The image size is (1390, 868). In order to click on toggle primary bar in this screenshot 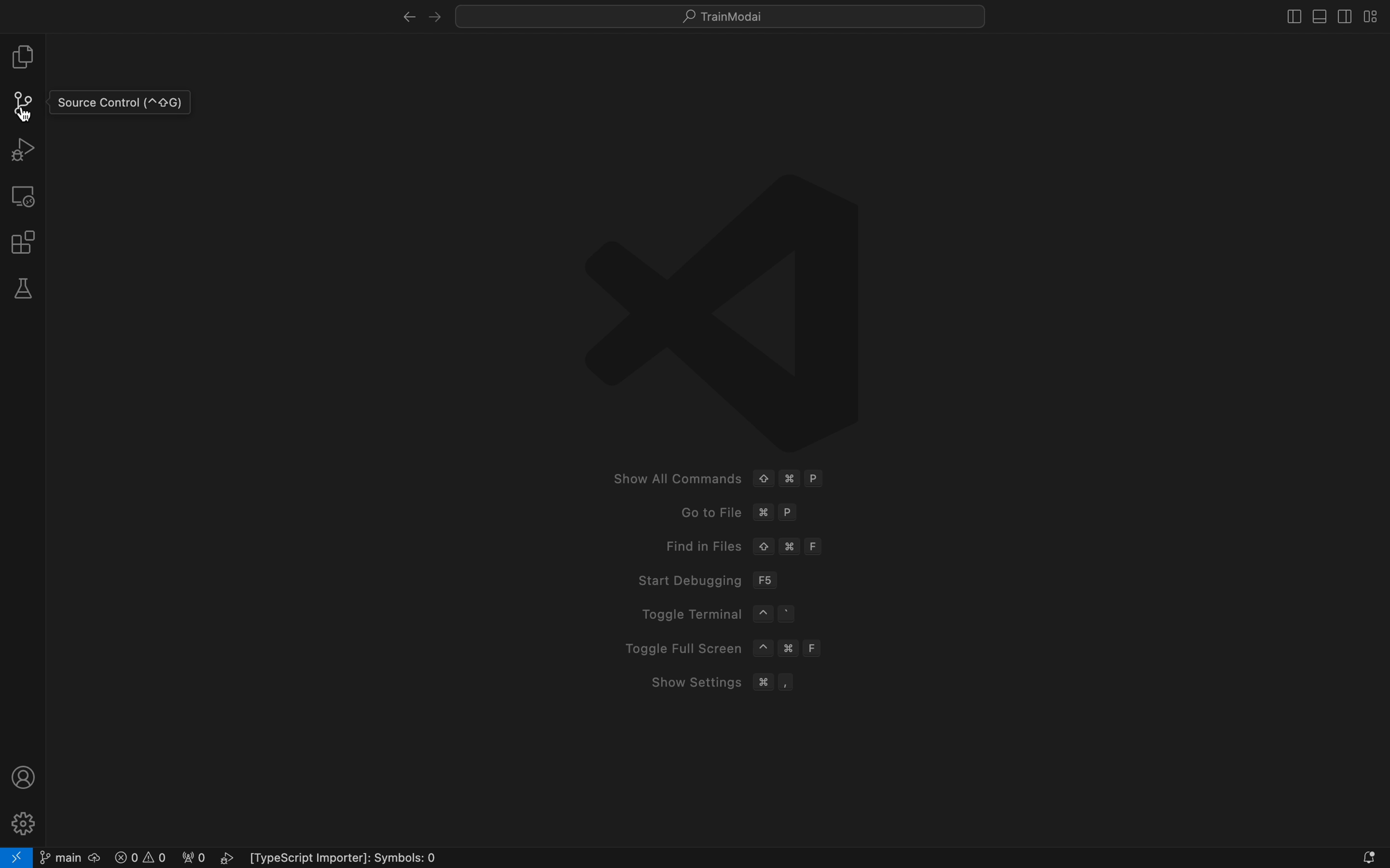, I will do `click(1321, 15)`.